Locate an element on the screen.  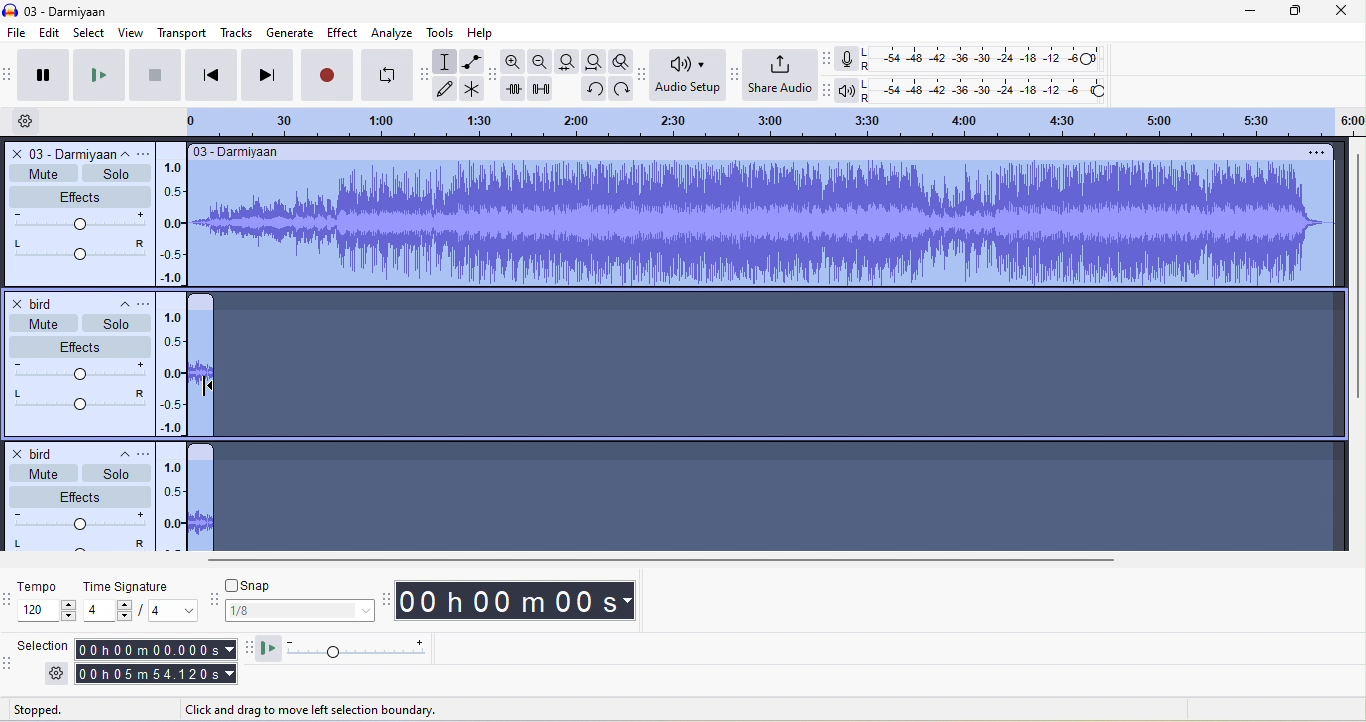
audacity snapping toolbar is located at coordinates (212, 600).